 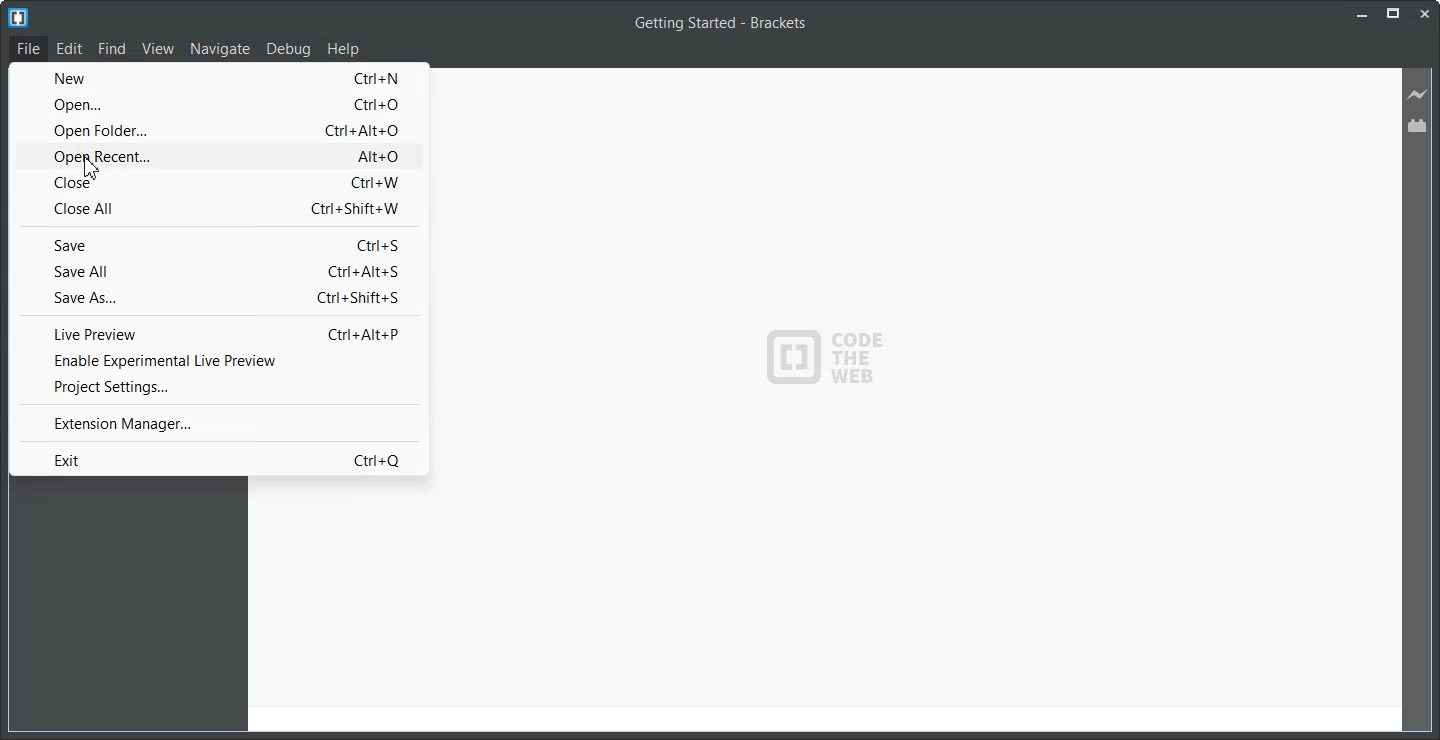 I want to click on cursor, so click(x=92, y=170).